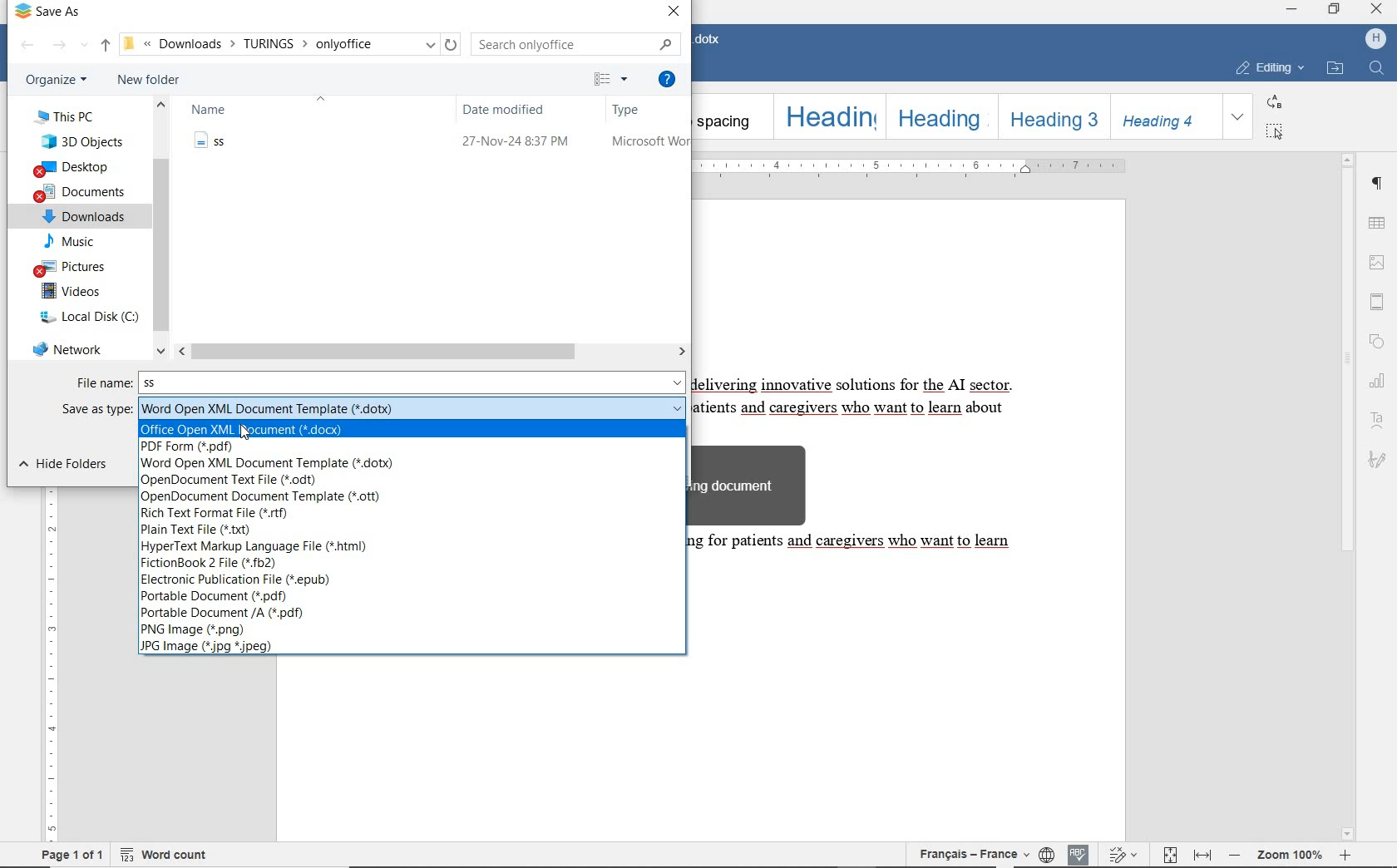 The image size is (1397, 868). Describe the element at coordinates (614, 81) in the screenshot. I see `CHANGE YOUR VIEW` at that location.